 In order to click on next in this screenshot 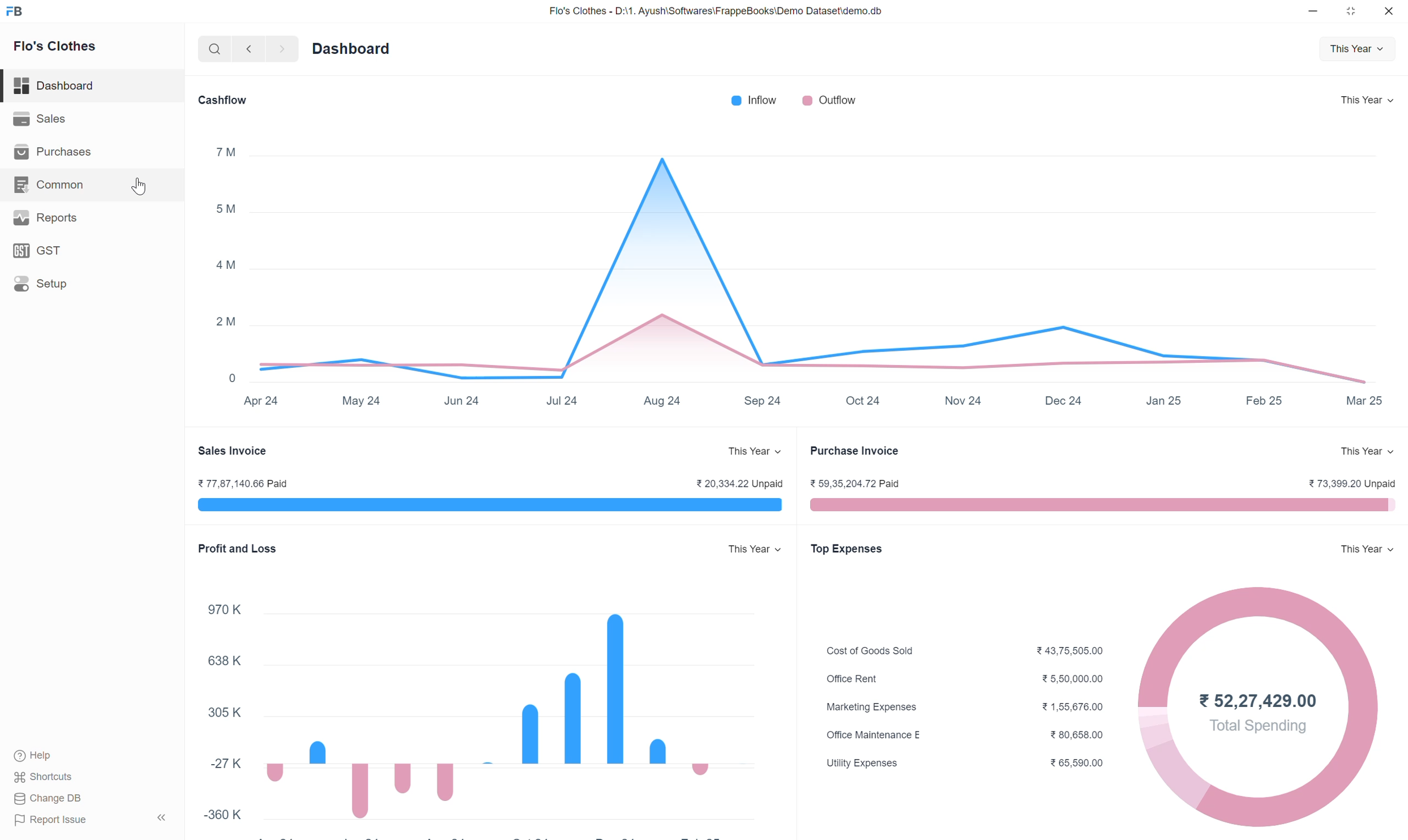, I will do `click(286, 50)`.